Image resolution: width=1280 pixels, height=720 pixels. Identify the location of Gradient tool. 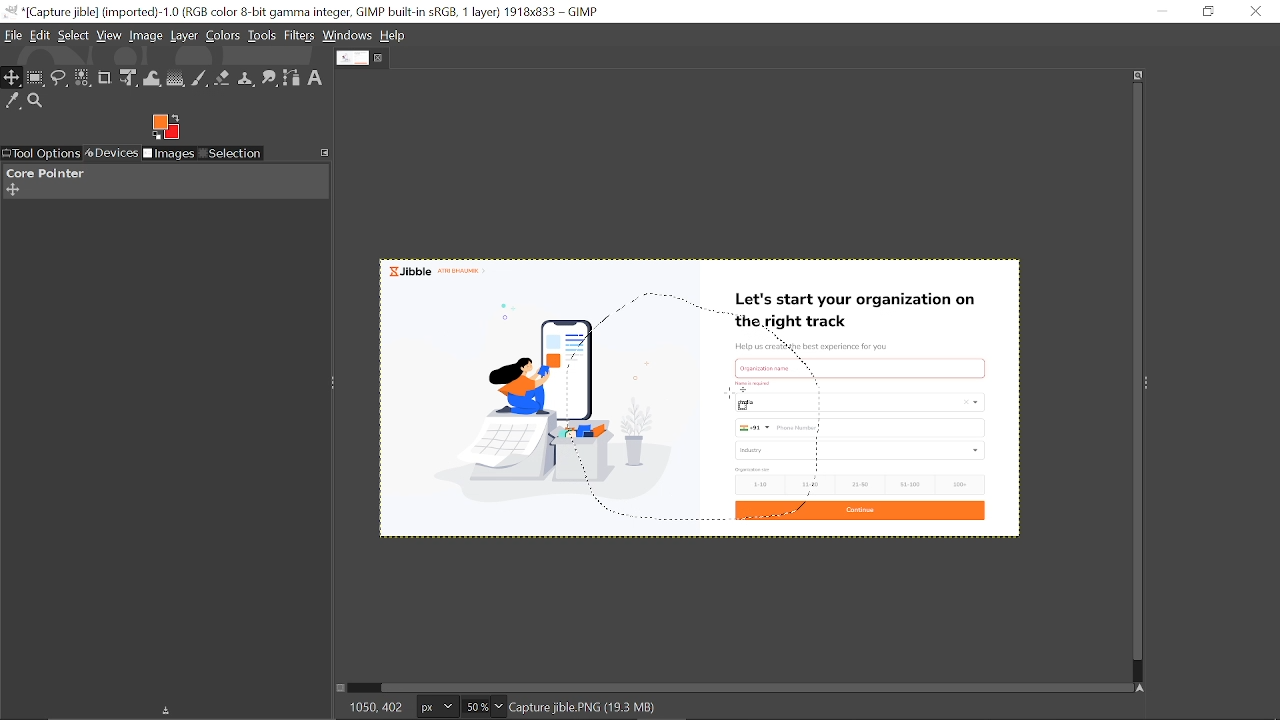
(177, 79).